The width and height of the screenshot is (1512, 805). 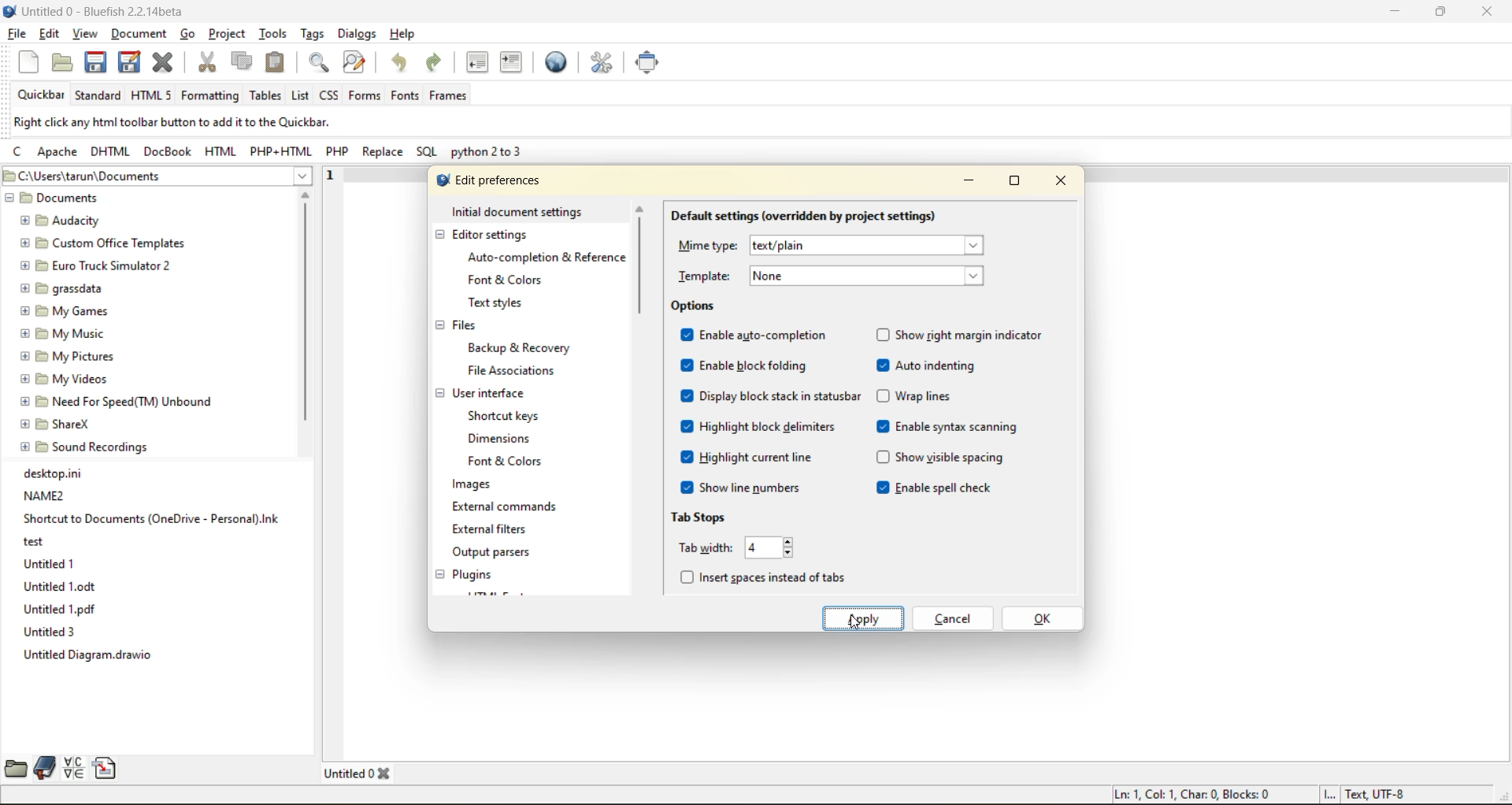 What do you see at coordinates (1012, 184) in the screenshot?
I see `maximize` at bounding box center [1012, 184].